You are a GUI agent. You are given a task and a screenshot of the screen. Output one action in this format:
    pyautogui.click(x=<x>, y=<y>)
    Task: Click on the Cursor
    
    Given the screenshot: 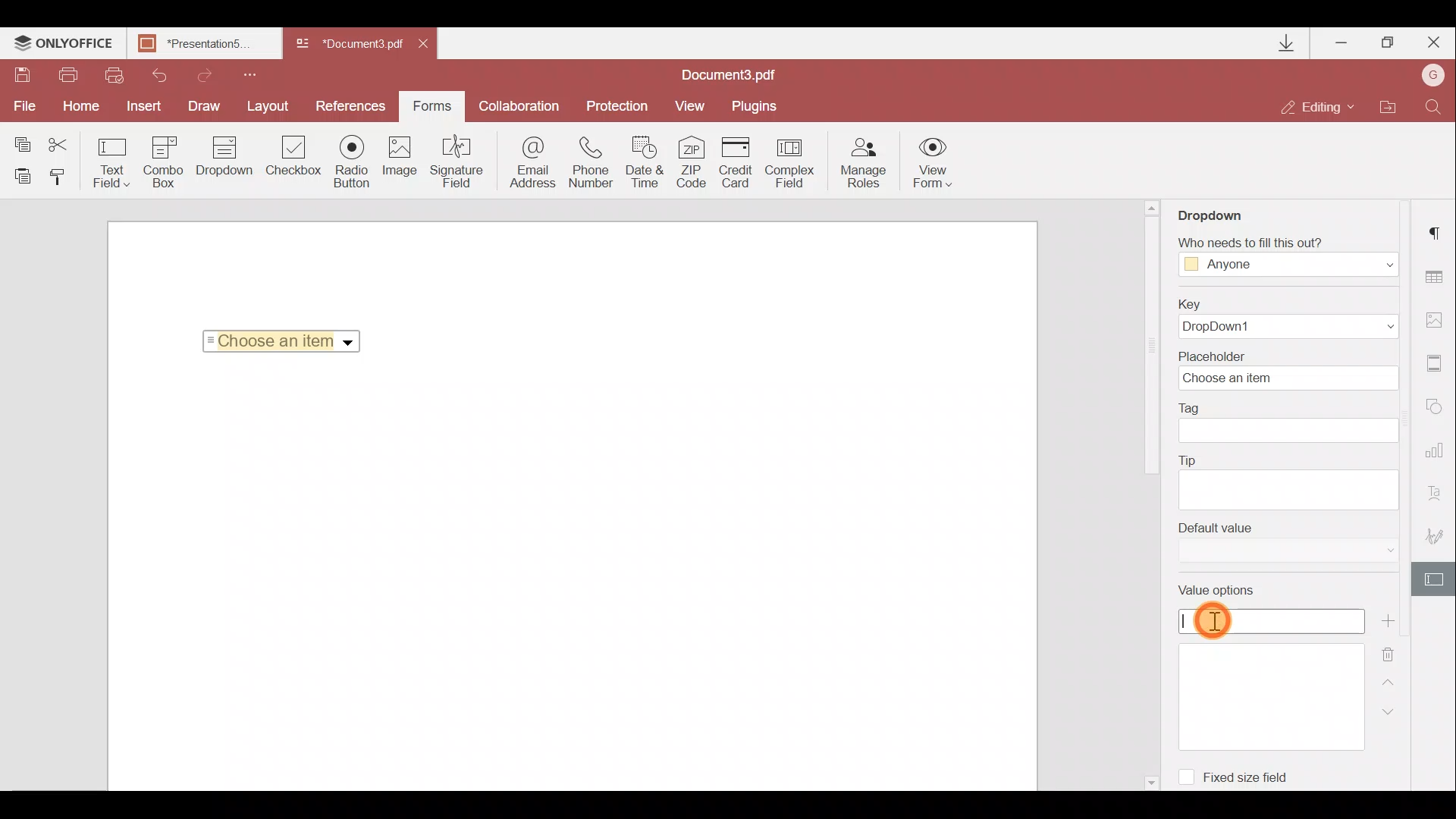 What is the action you would take?
    pyautogui.click(x=1214, y=617)
    